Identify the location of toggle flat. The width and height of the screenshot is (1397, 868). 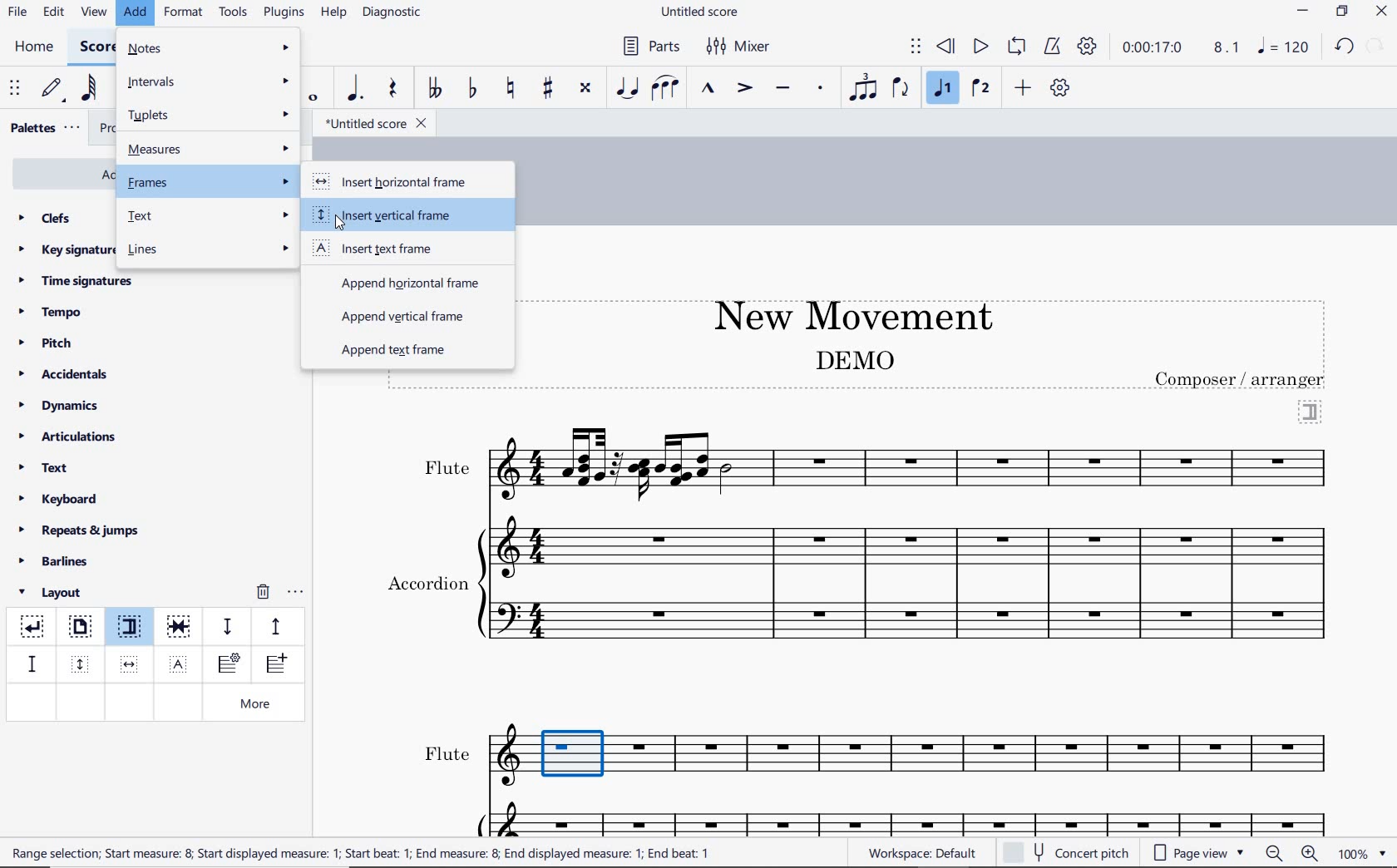
(471, 89).